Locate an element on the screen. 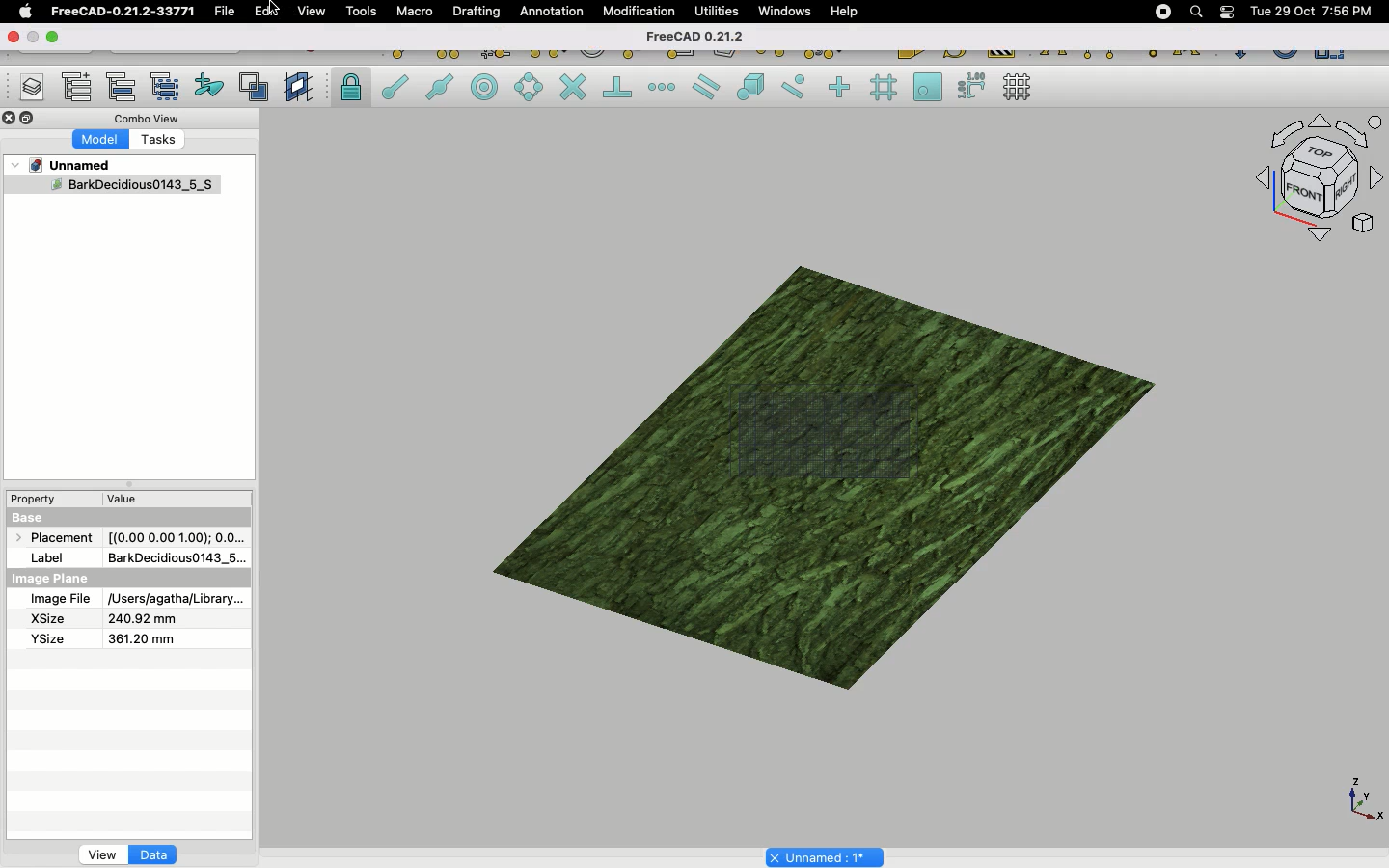 This screenshot has width=1389, height=868. Object selected is located at coordinates (813, 462).